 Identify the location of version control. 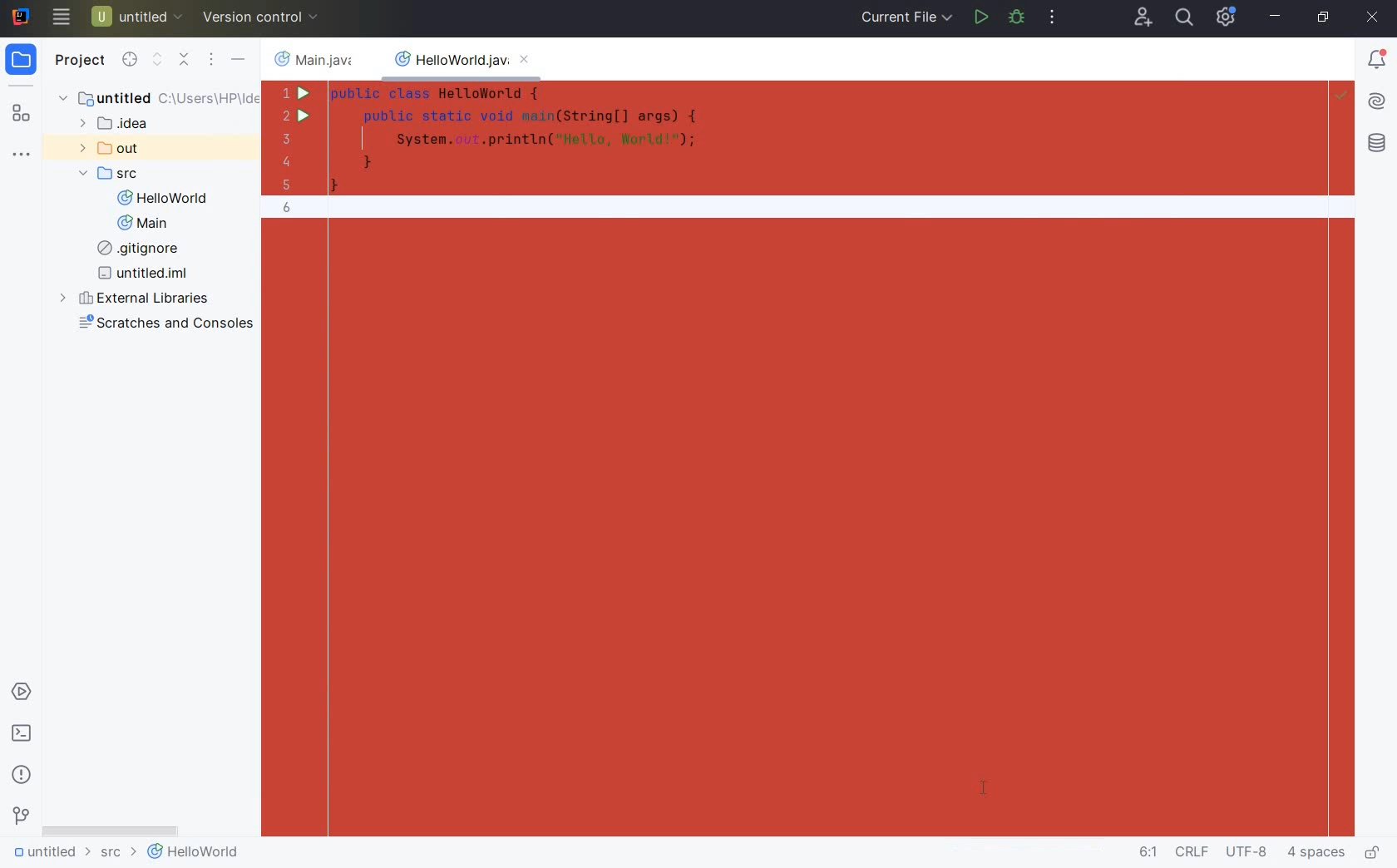
(264, 16).